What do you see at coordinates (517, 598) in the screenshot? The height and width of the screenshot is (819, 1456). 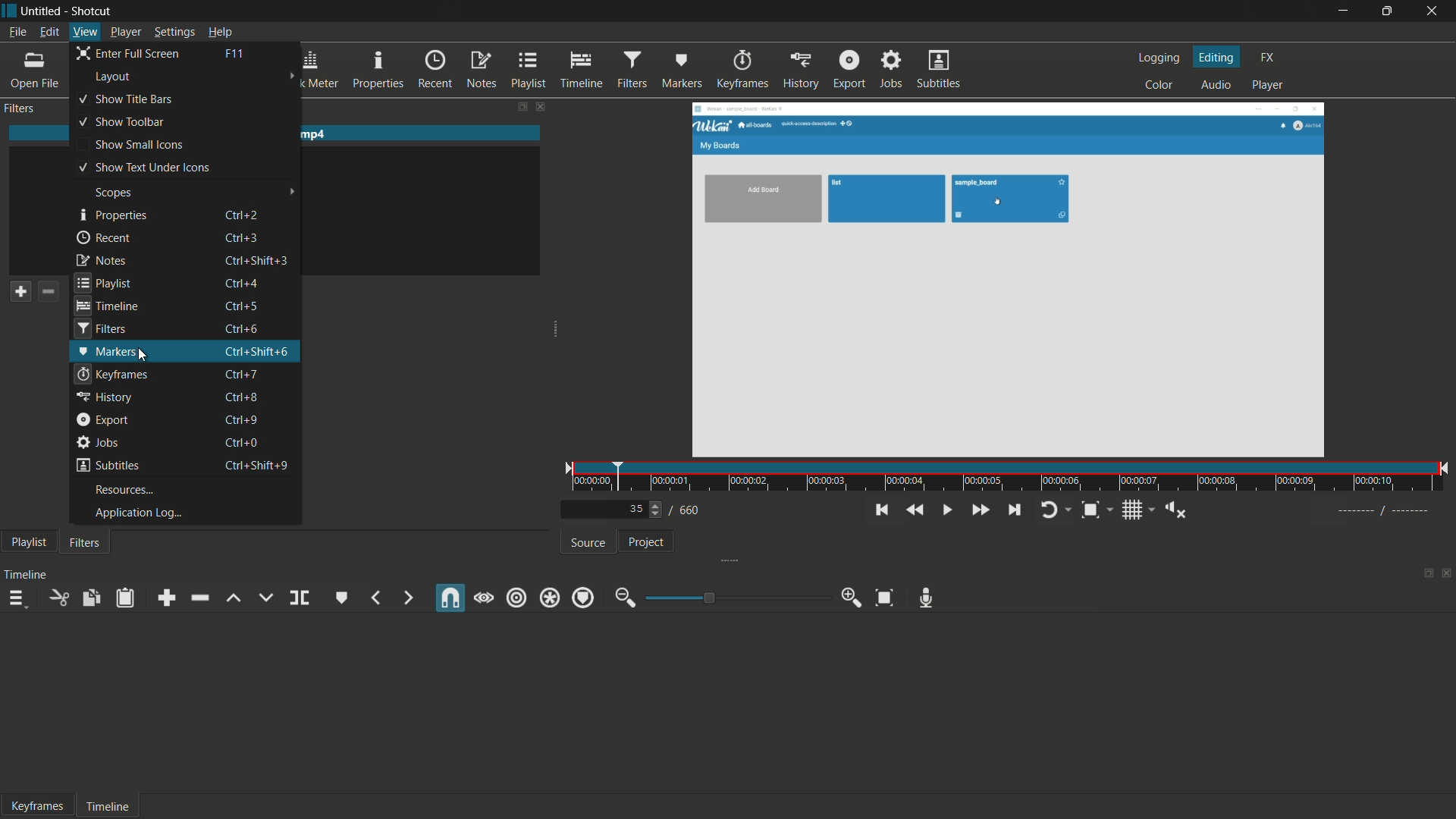 I see `ripple` at bounding box center [517, 598].